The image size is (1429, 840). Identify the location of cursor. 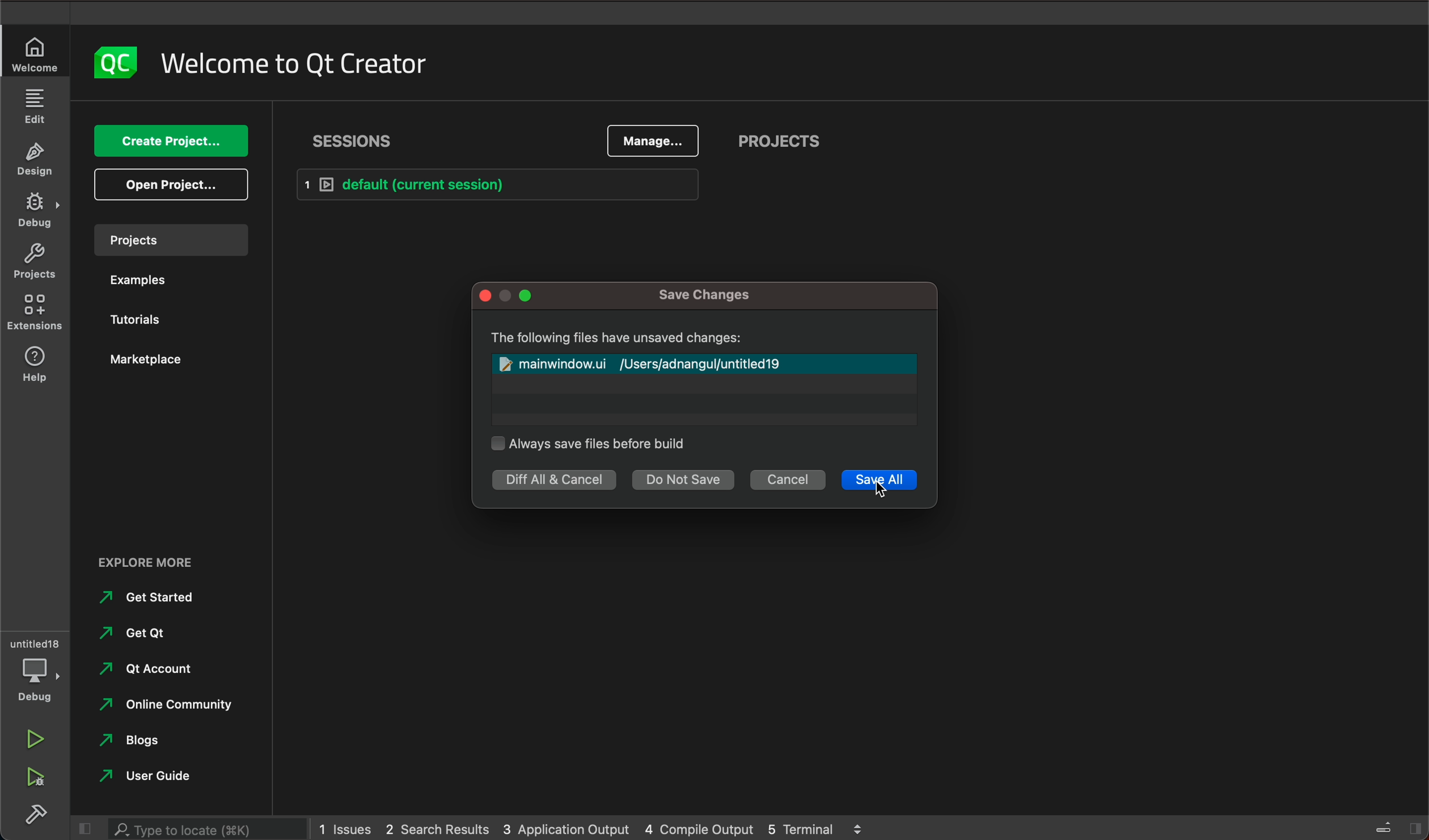
(882, 490).